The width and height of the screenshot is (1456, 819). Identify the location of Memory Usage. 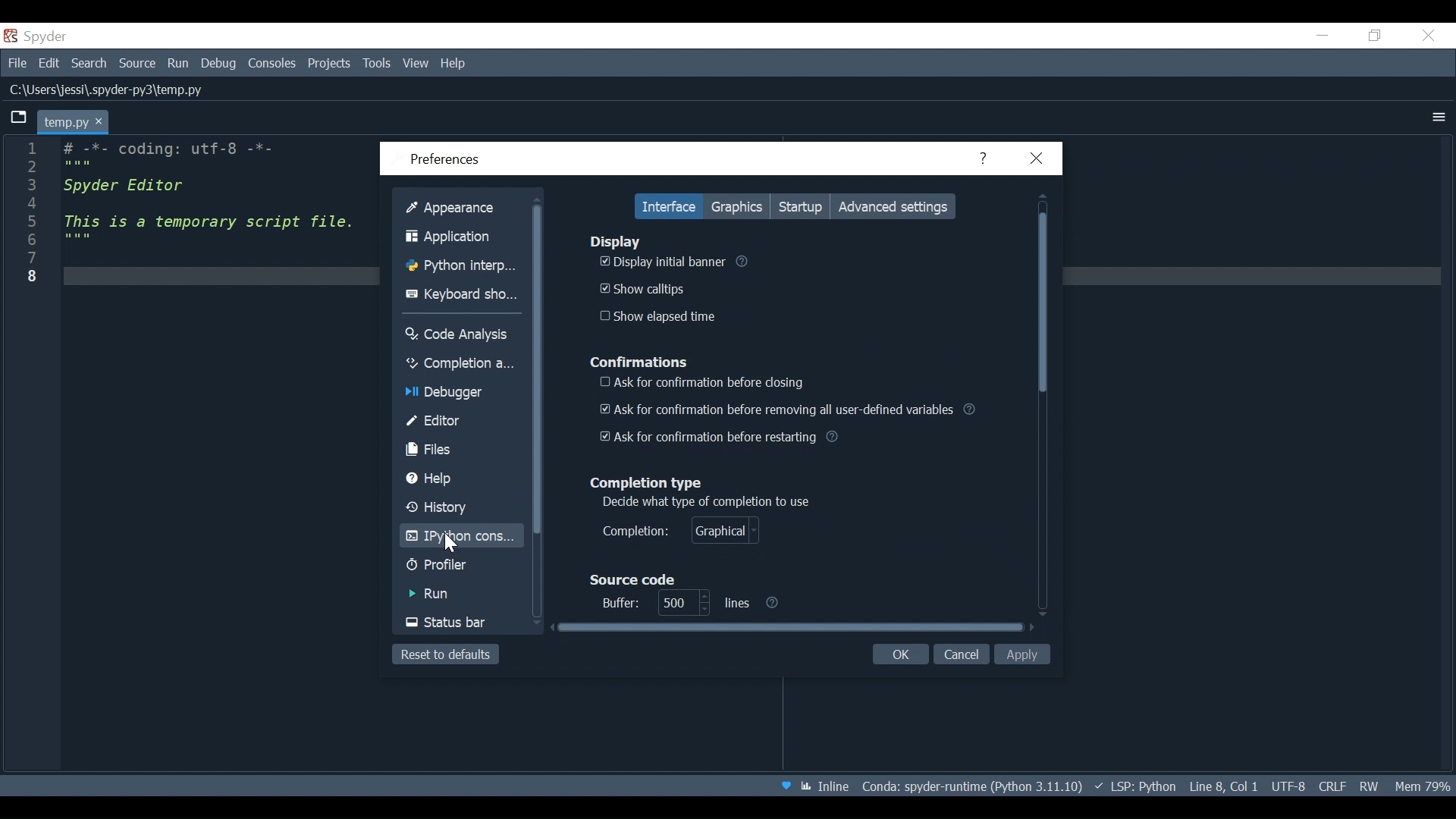
(1421, 786).